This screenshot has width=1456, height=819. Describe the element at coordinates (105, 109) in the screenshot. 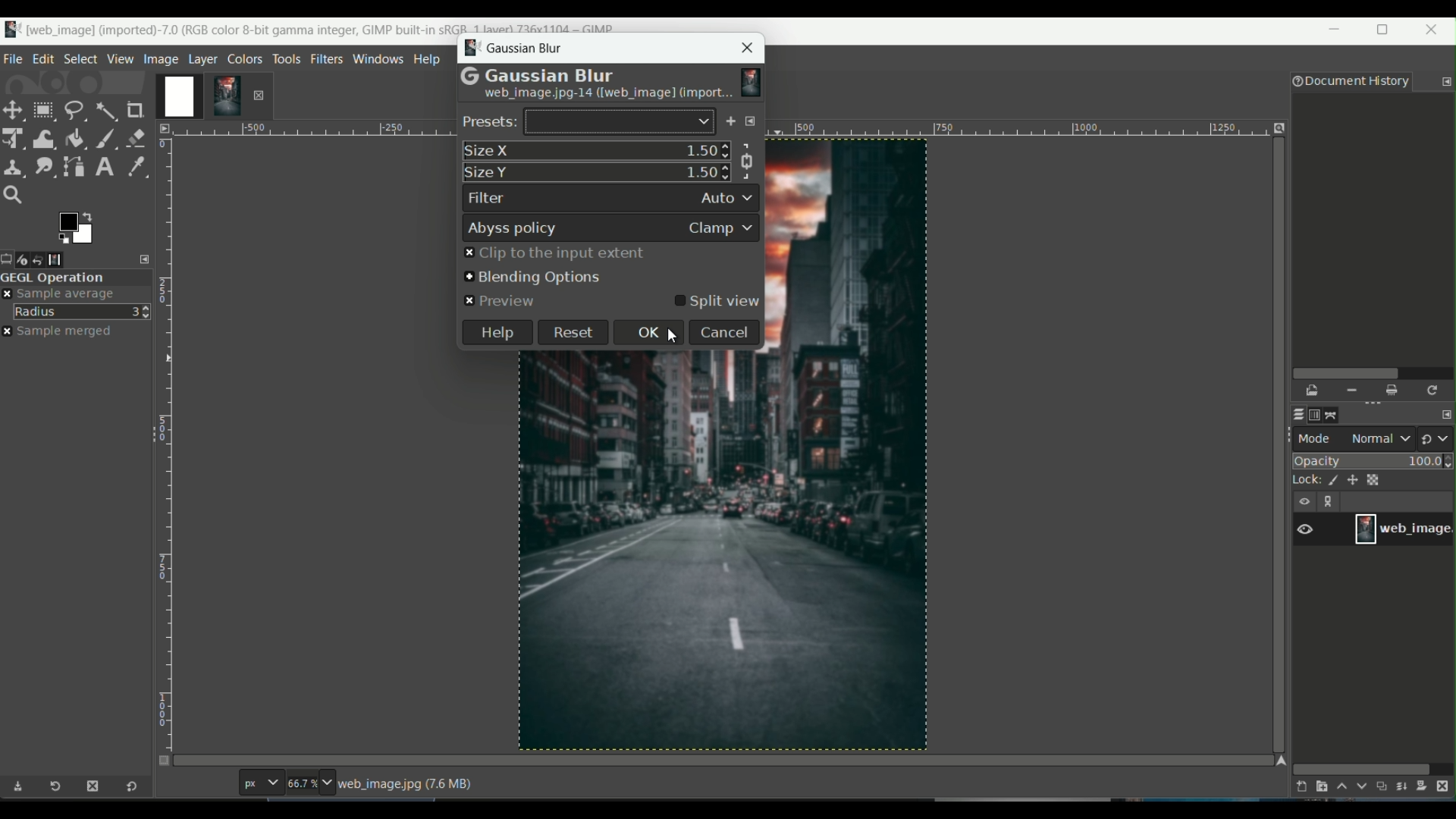

I see `fuzzy select tool` at that location.